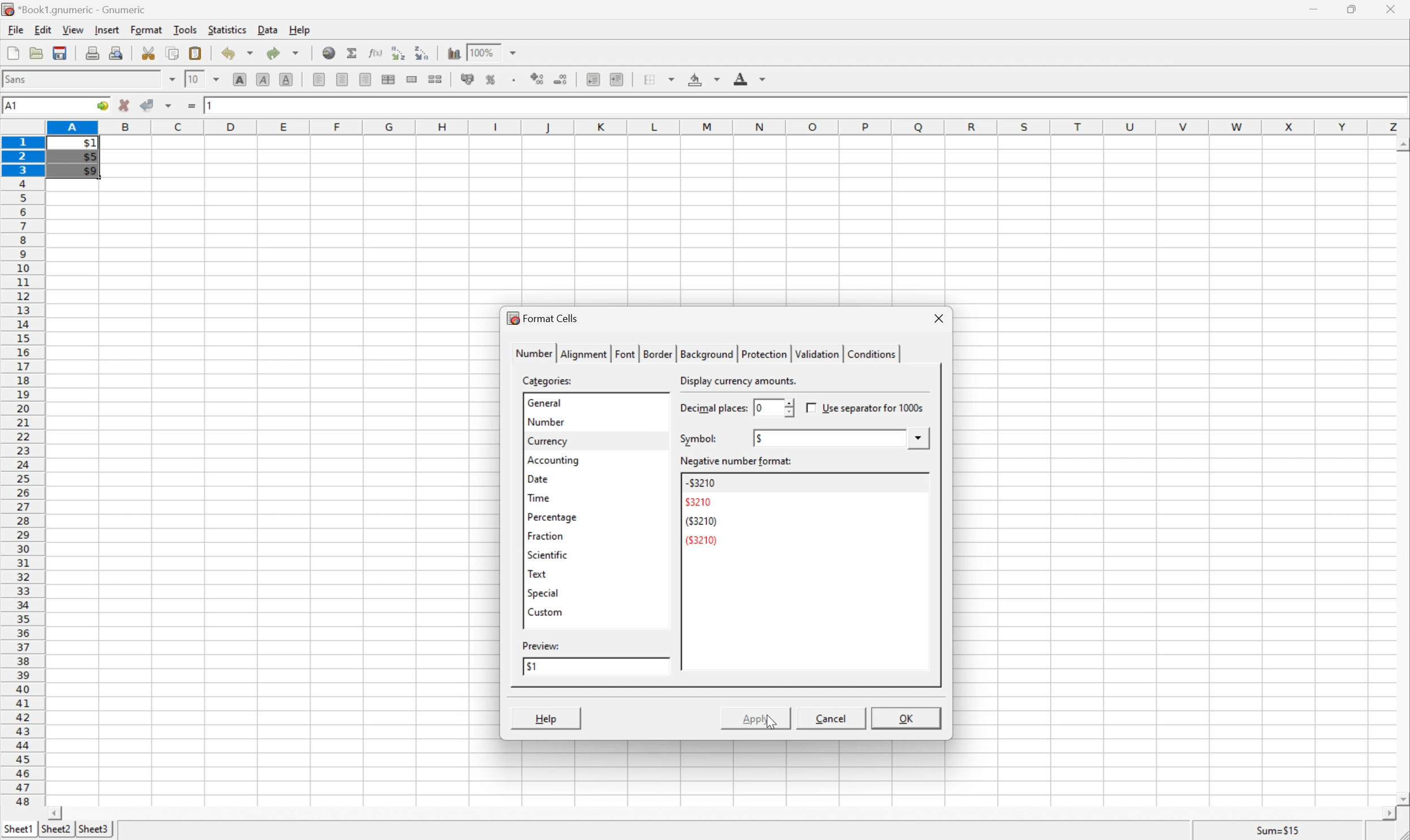 This screenshot has width=1410, height=840. Describe the element at coordinates (78, 8) in the screenshot. I see `application name` at that location.